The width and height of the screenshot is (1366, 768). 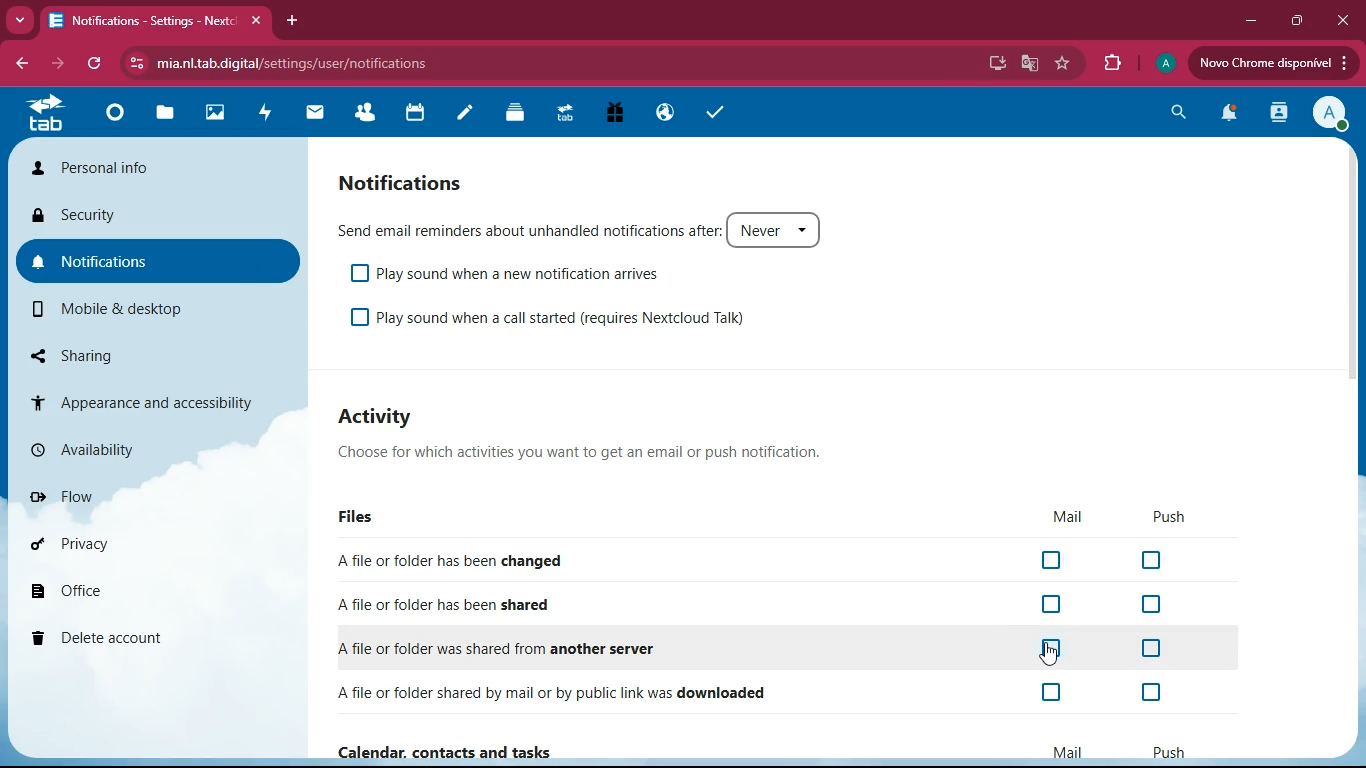 I want to click on off, so click(x=1147, y=606).